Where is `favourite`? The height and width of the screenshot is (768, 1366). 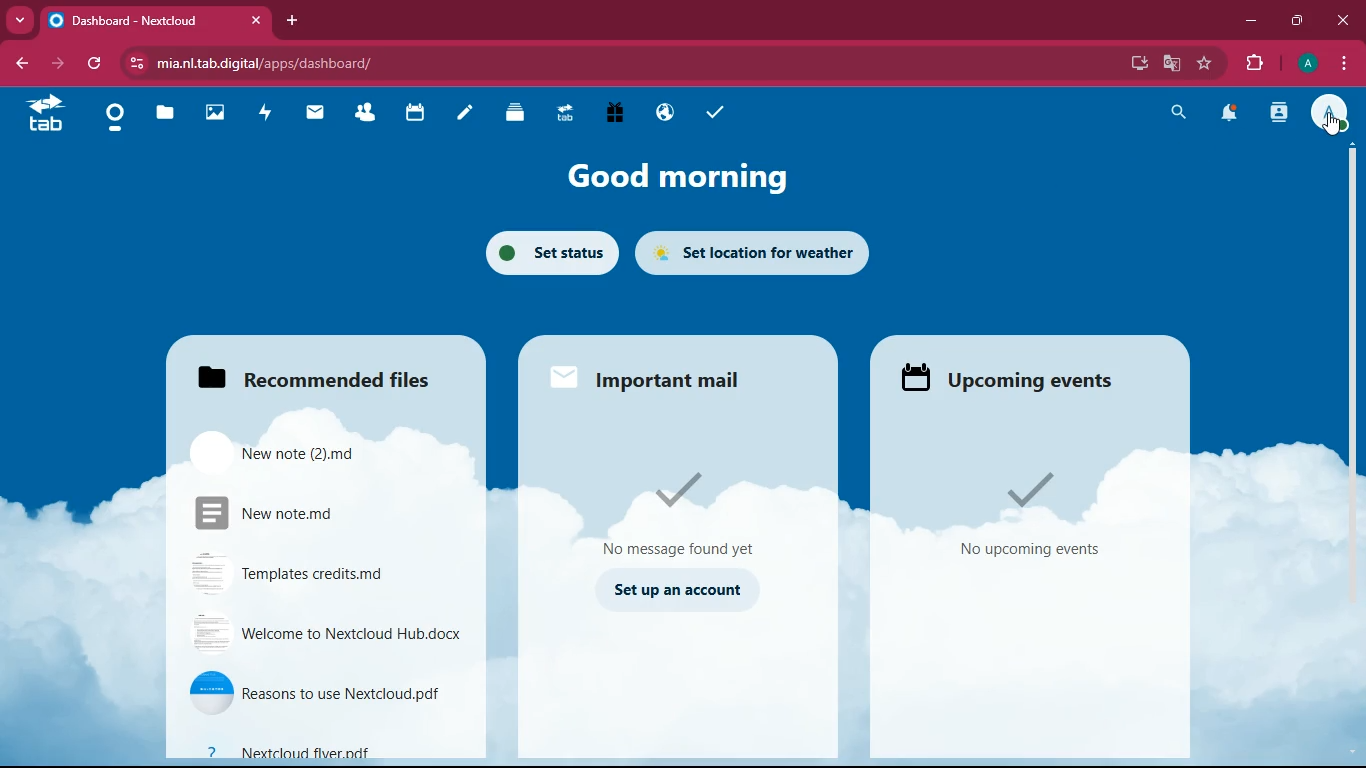 favourite is located at coordinates (1207, 61).